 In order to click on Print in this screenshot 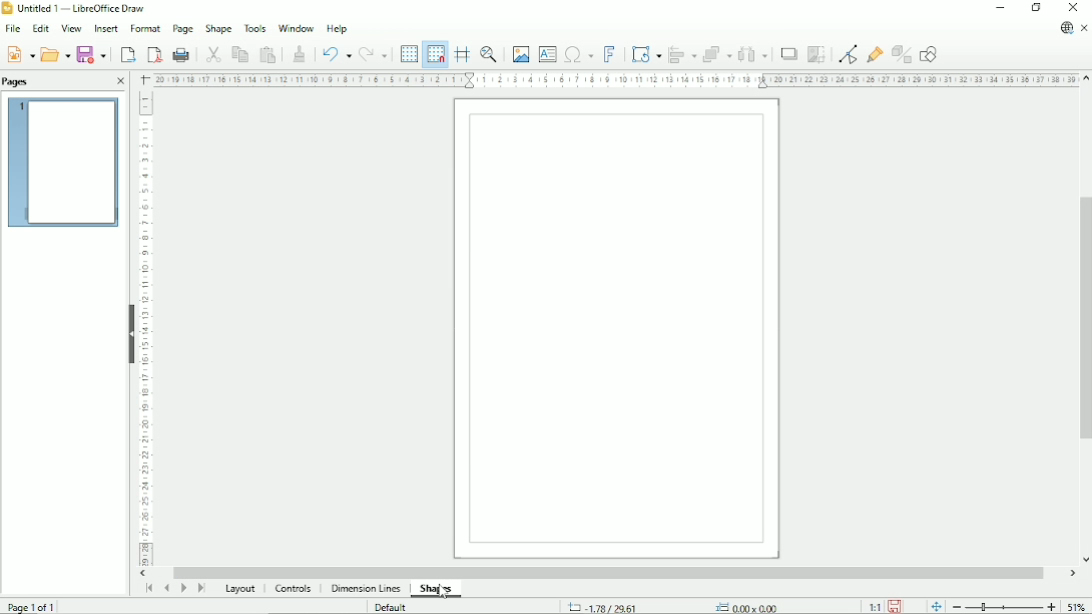, I will do `click(181, 54)`.